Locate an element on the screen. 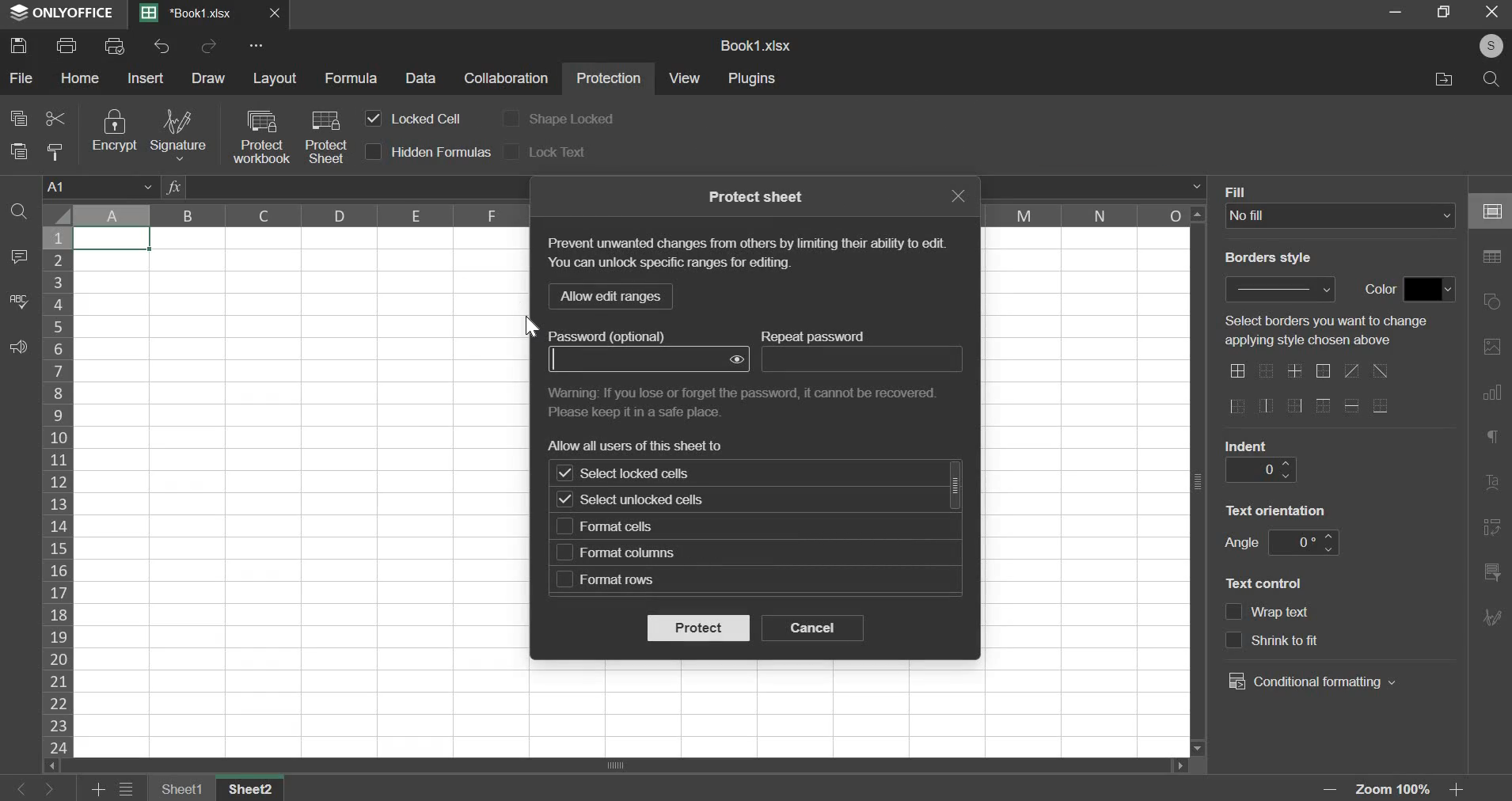  paste is located at coordinates (18, 150).